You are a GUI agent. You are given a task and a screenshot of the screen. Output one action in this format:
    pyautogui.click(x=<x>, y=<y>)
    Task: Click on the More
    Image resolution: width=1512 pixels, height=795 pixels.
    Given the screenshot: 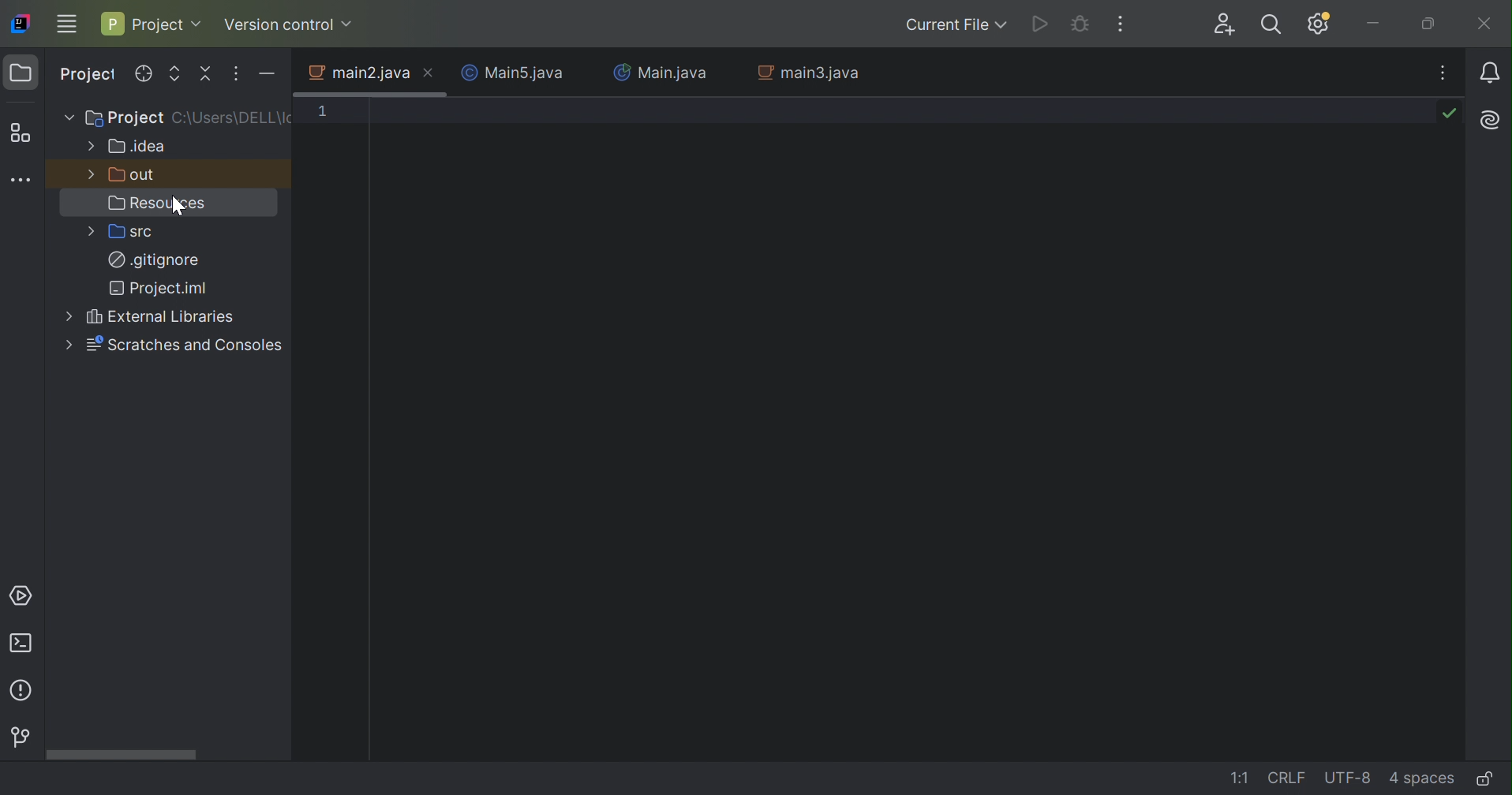 What is the action you would take?
    pyautogui.click(x=92, y=174)
    